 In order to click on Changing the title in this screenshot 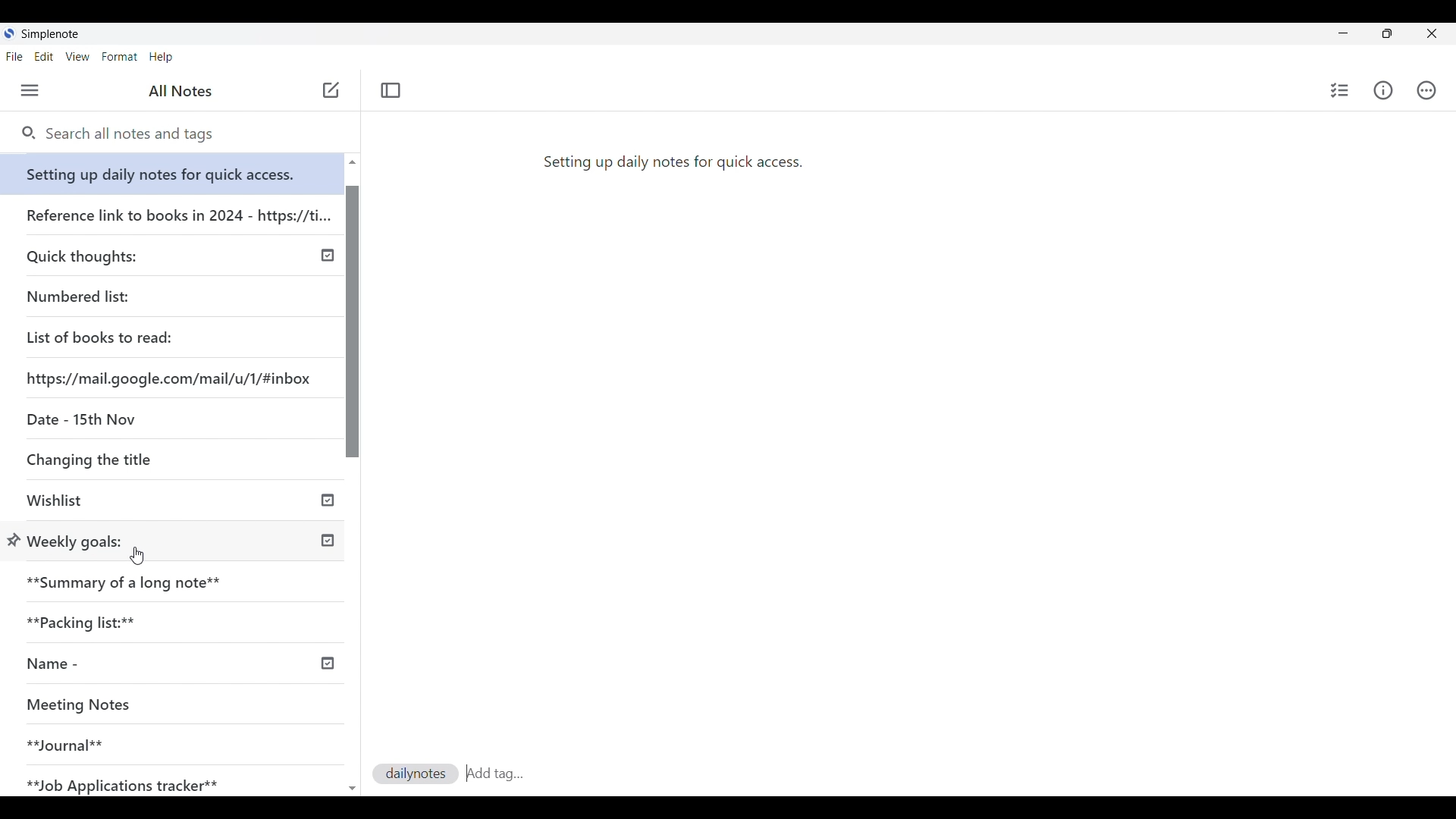, I will do `click(121, 459)`.